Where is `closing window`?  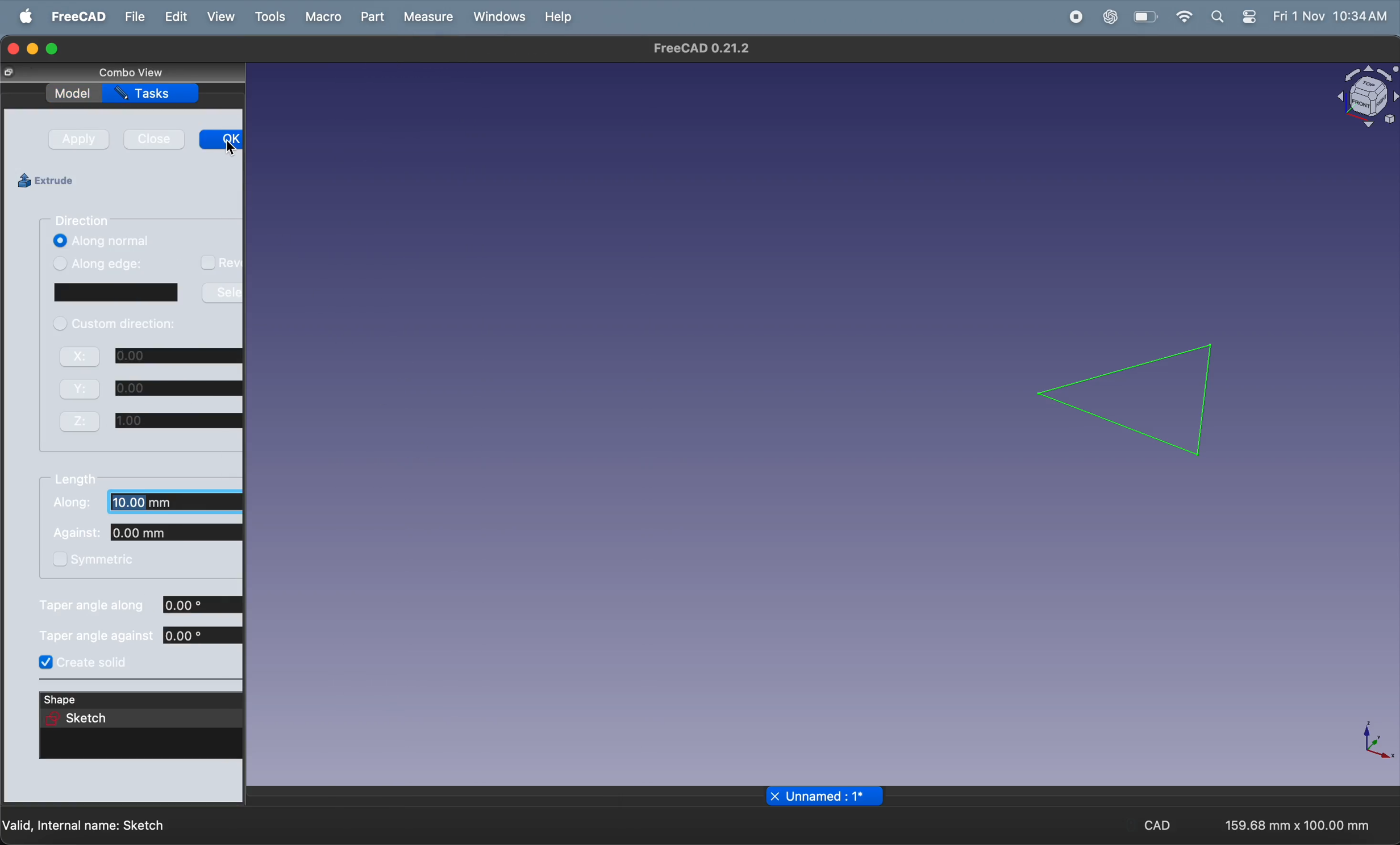
closing window is located at coordinates (12, 47).